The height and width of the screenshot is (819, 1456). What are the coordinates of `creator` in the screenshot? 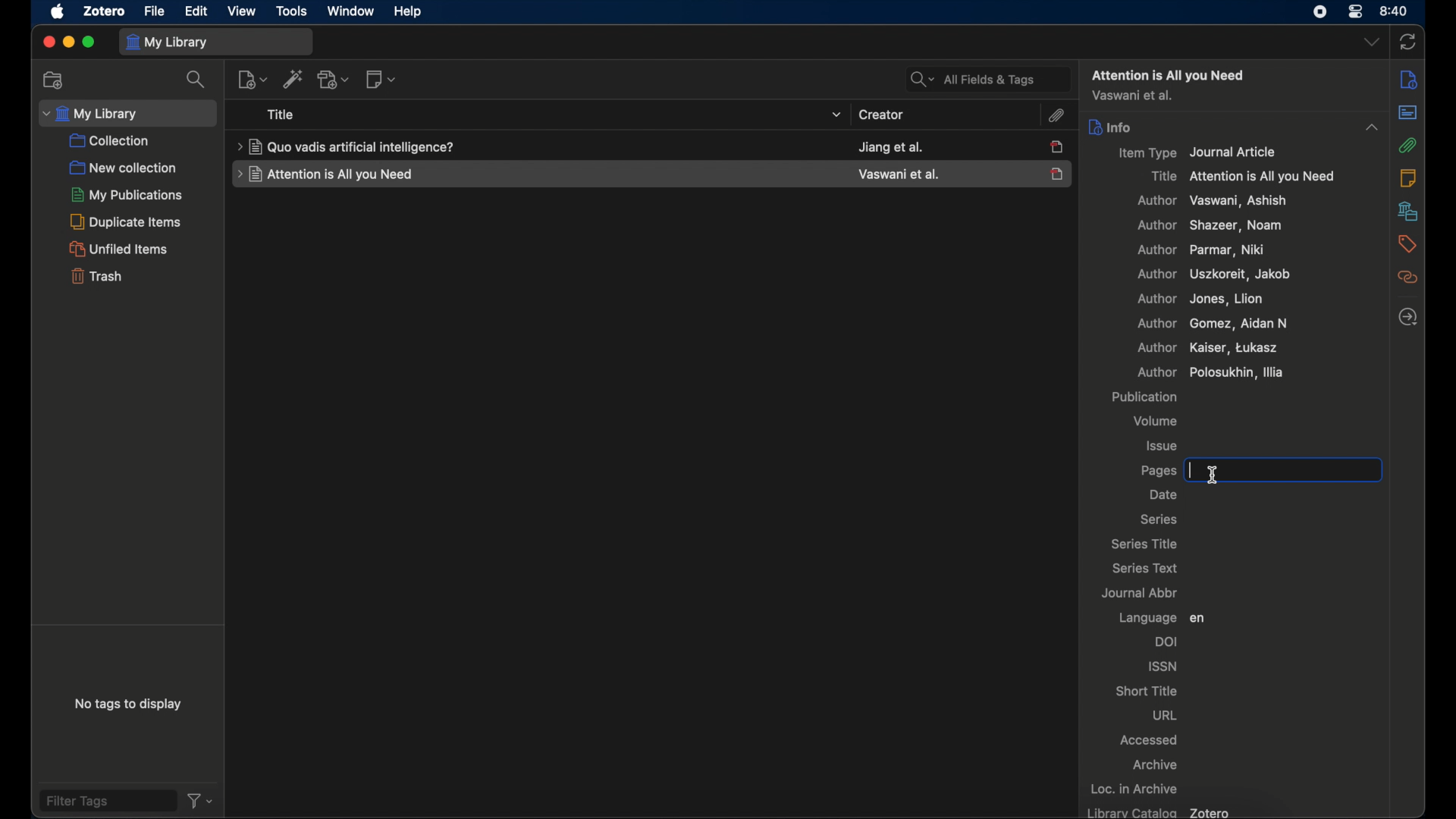 It's located at (880, 115).